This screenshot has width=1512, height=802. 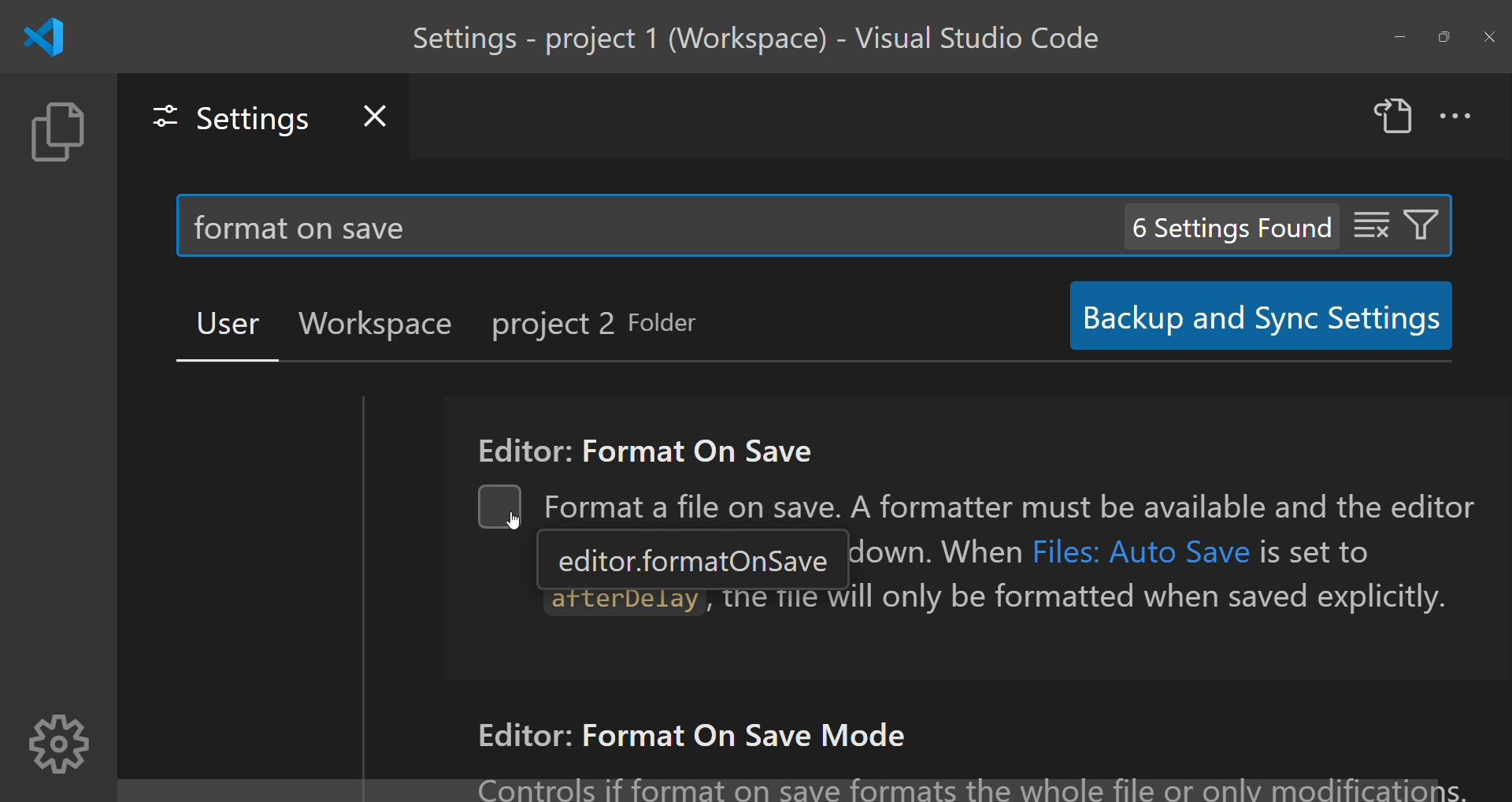 What do you see at coordinates (56, 134) in the screenshot?
I see `explorer` at bounding box center [56, 134].